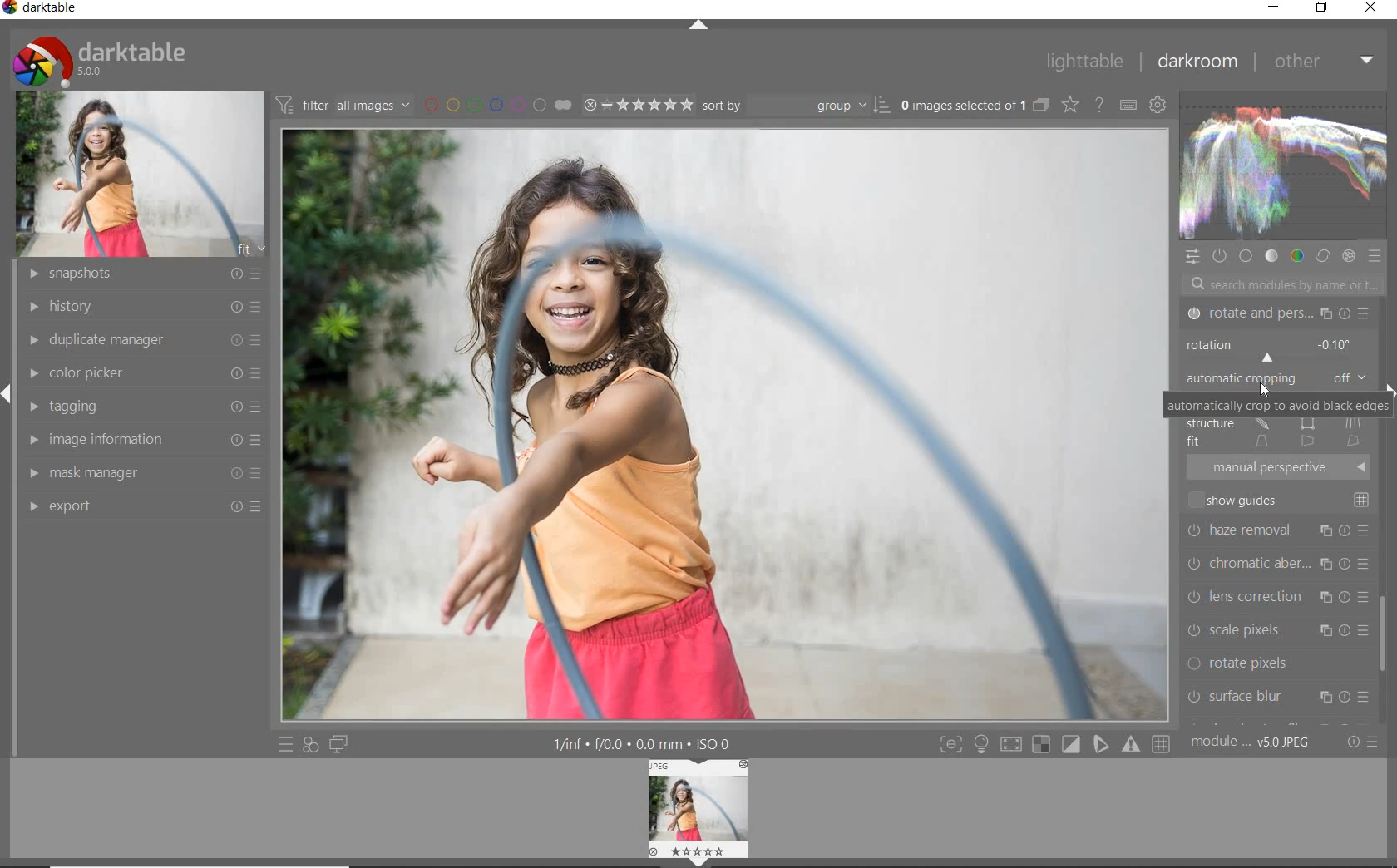  Describe the element at coordinates (1385, 625) in the screenshot. I see `scrollbar` at that location.